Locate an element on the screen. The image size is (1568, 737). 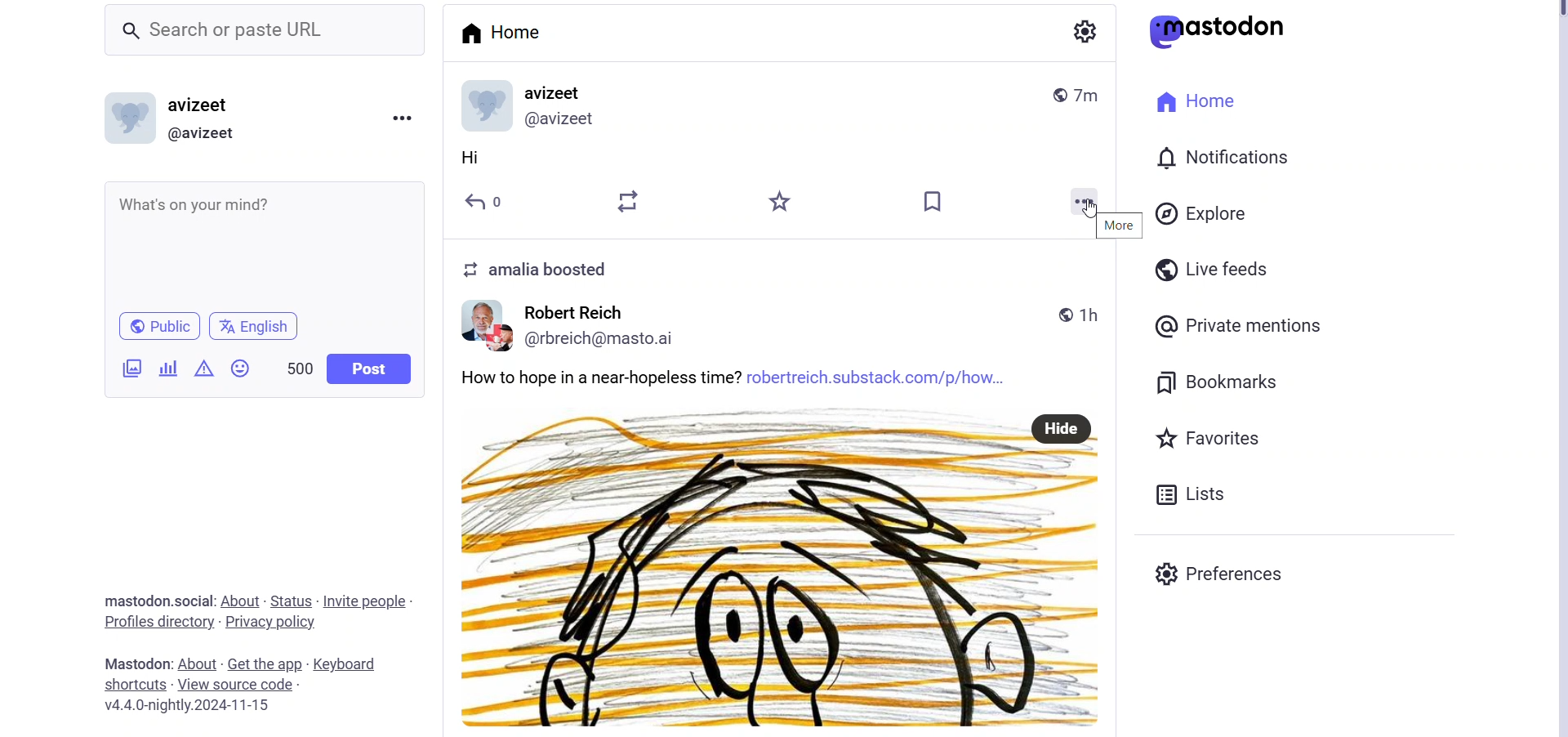
User Details and Profile Picture is located at coordinates (537, 105).